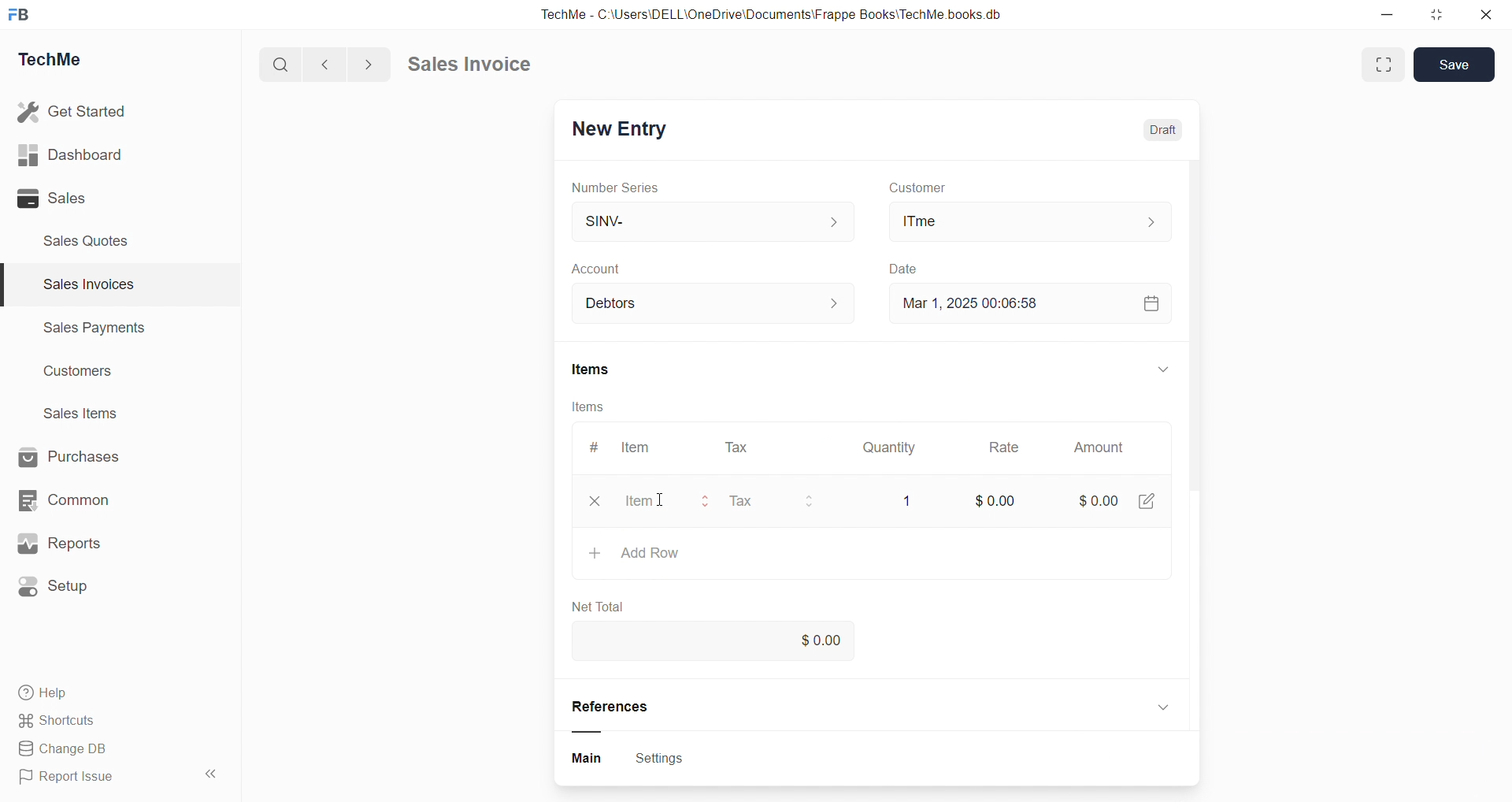 Image resolution: width=1512 pixels, height=802 pixels. What do you see at coordinates (1007, 449) in the screenshot?
I see `Rate` at bounding box center [1007, 449].